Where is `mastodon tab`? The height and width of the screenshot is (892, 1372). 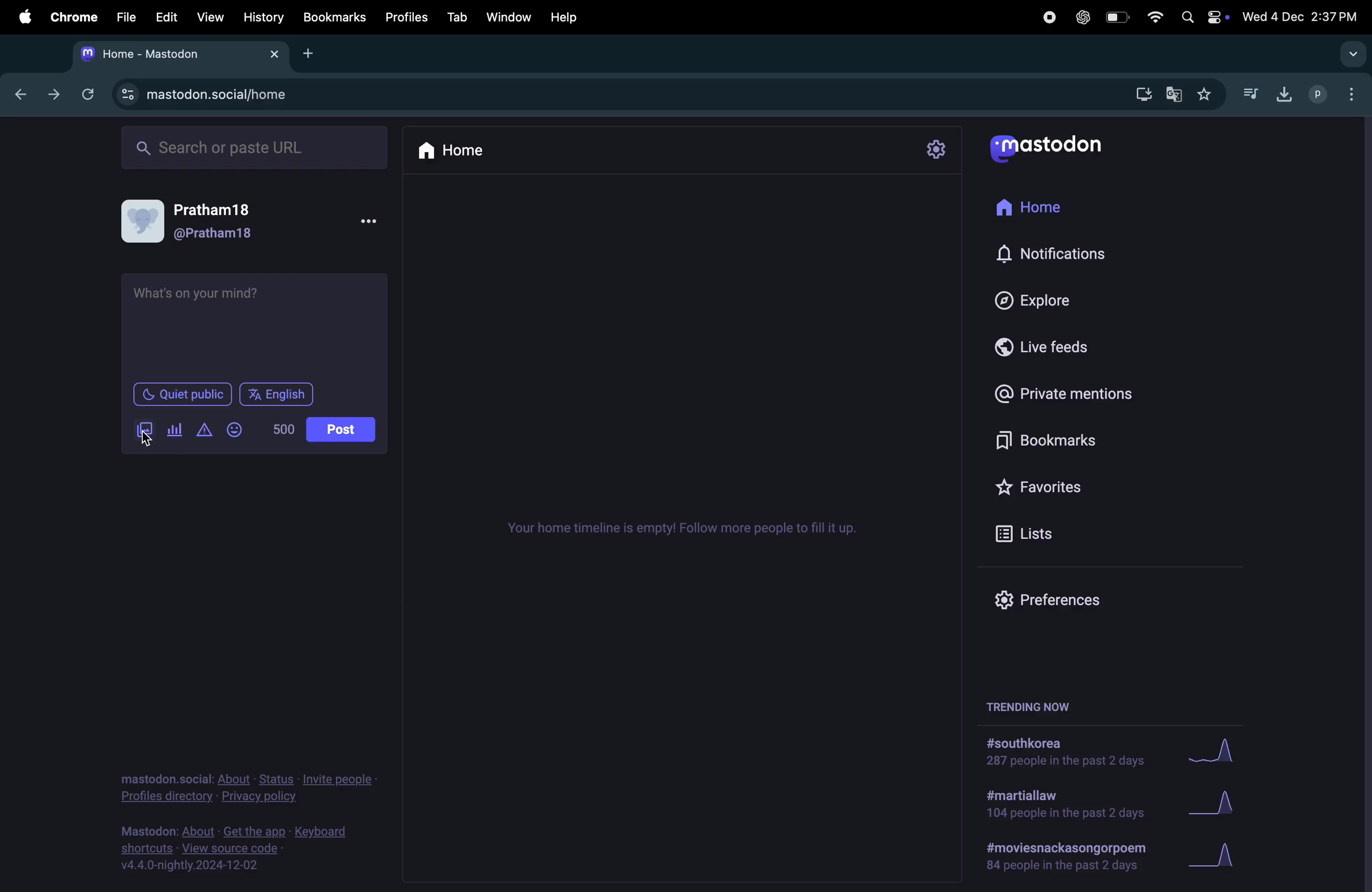 mastodon tab is located at coordinates (175, 54).